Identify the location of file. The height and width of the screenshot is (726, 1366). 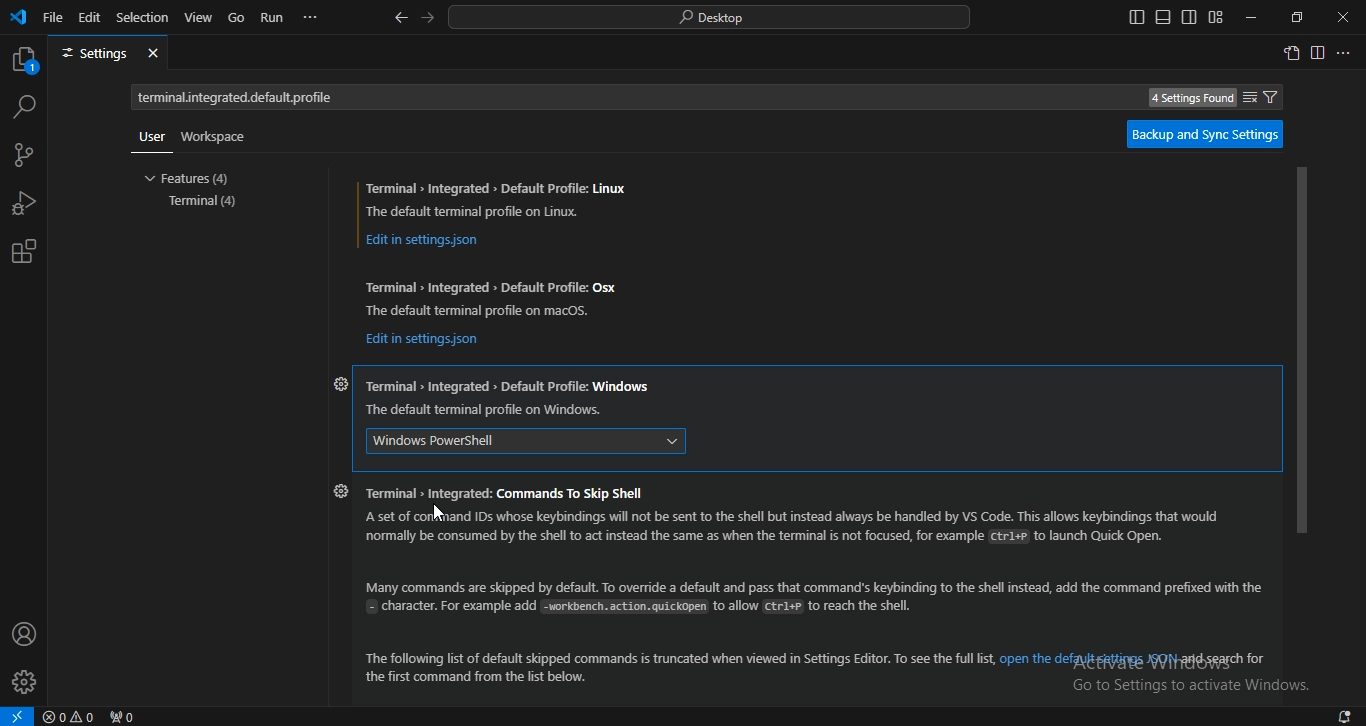
(54, 21).